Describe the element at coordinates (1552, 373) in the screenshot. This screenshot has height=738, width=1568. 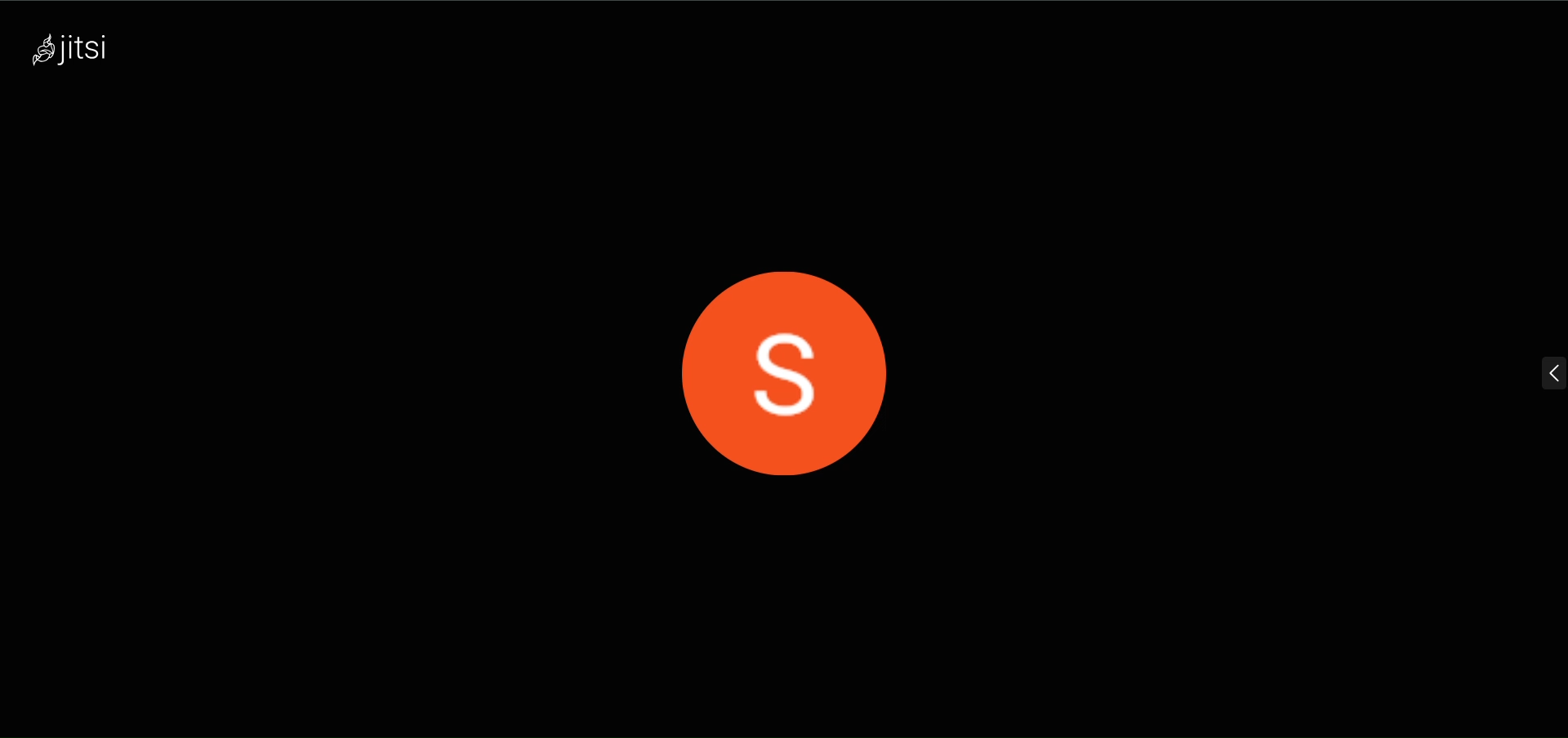
I see `expand` at that location.